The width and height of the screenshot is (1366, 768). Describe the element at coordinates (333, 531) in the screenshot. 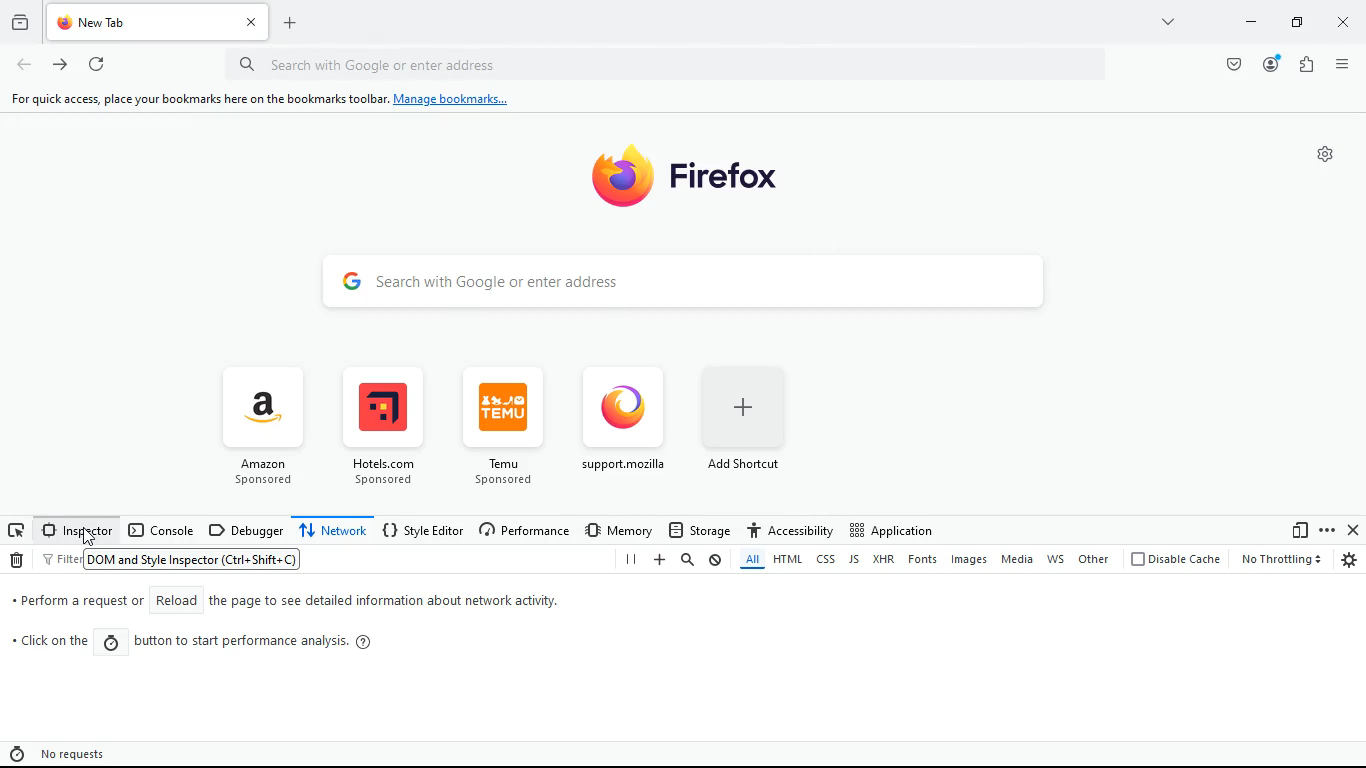

I see `network` at that location.